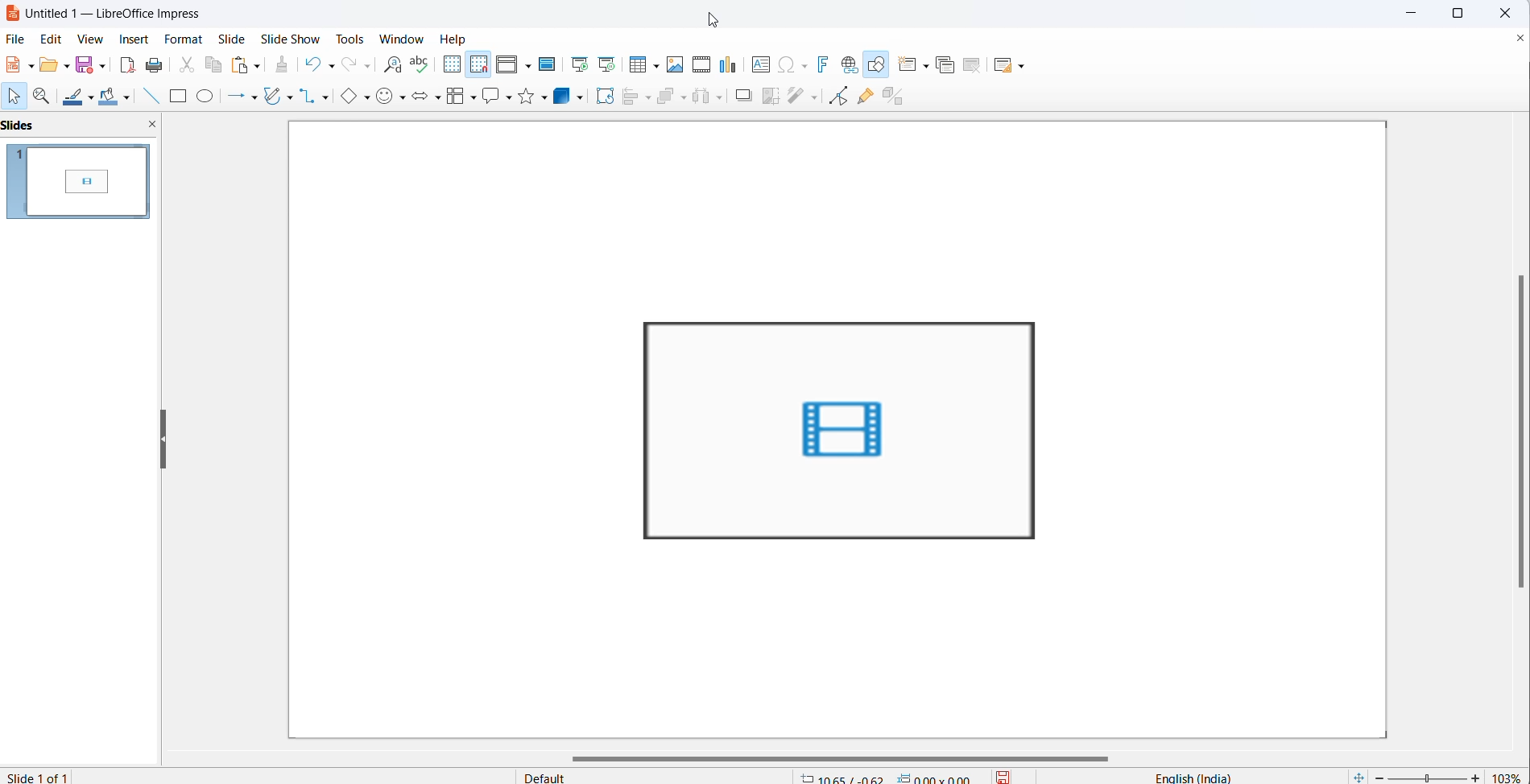 The width and height of the screenshot is (1530, 784). What do you see at coordinates (838, 756) in the screenshot?
I see `horizontal scroll bar` at bounding box center [838, 756].